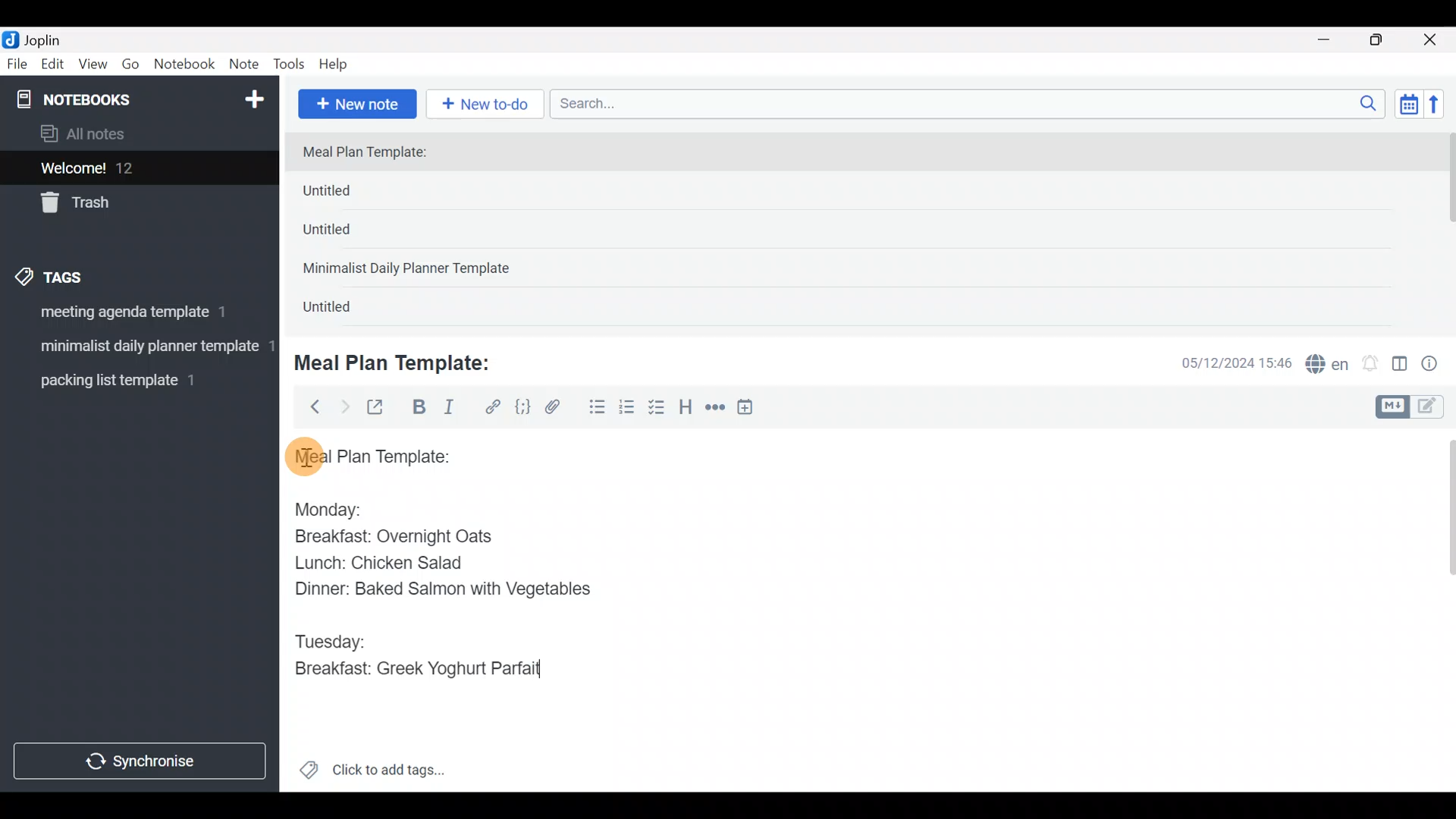 The image size is (1456, 819). I want to click on Tuesday:, so click(330, 642).